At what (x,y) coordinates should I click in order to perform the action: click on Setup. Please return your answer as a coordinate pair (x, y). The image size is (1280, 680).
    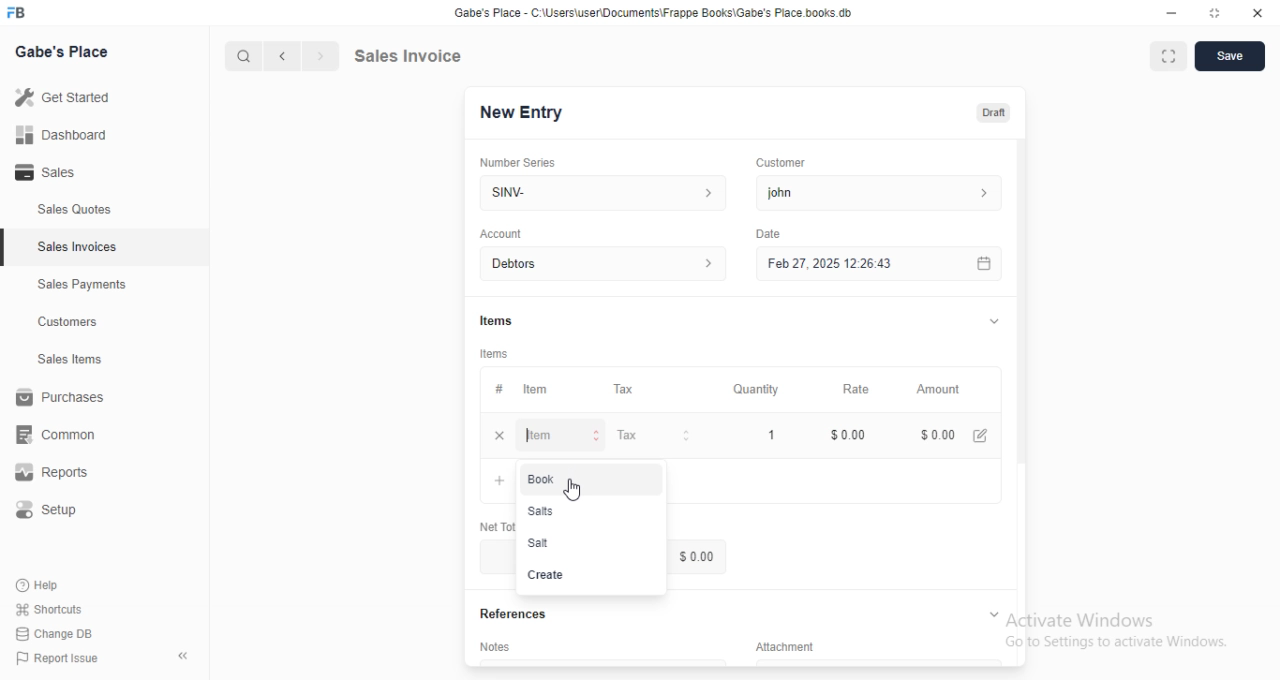
    Looking at the image, I should click on (48, 507).